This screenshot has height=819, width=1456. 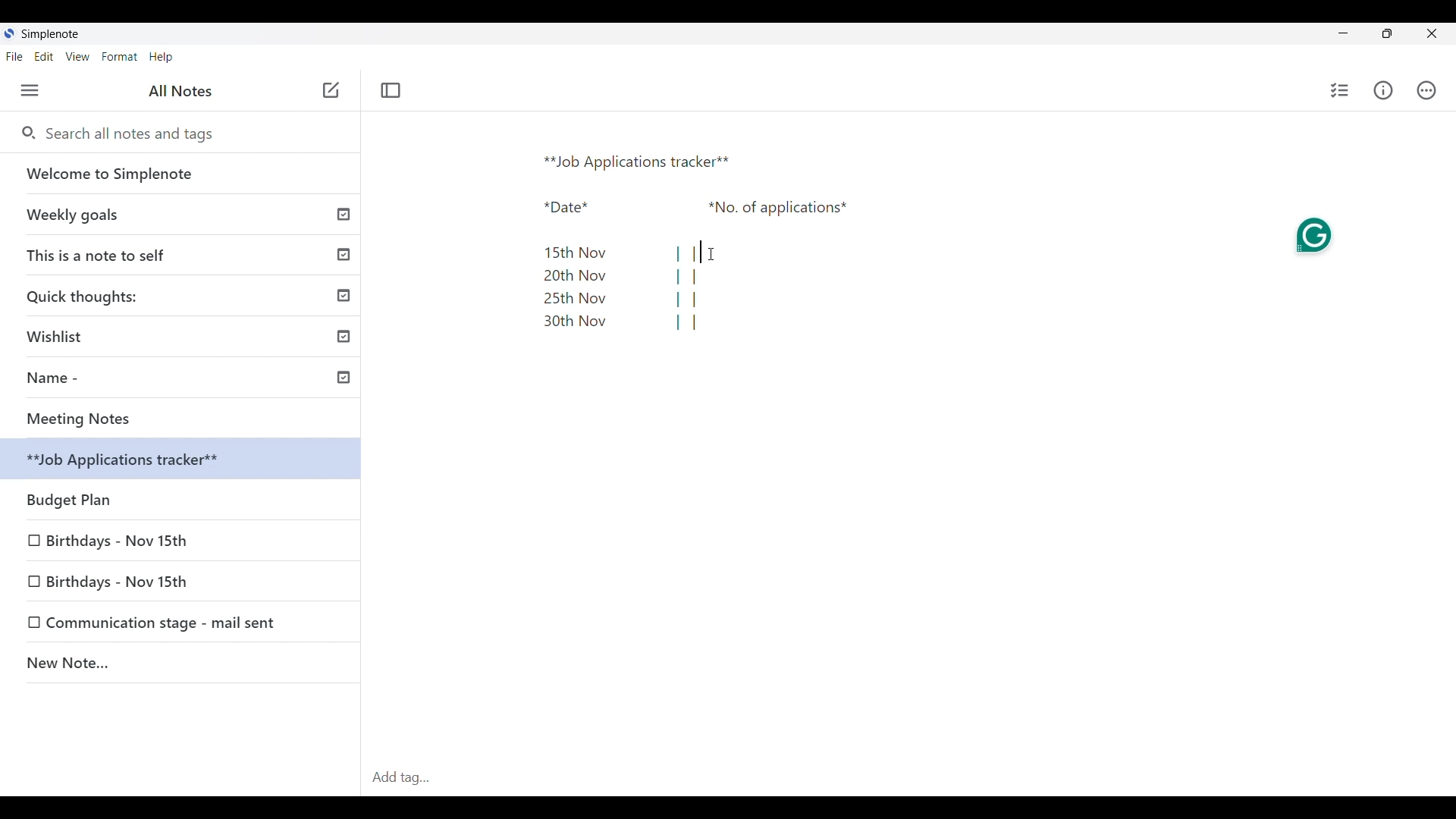 I want to click on Birthdays - Nov 15th, so click(x=146, y=579).